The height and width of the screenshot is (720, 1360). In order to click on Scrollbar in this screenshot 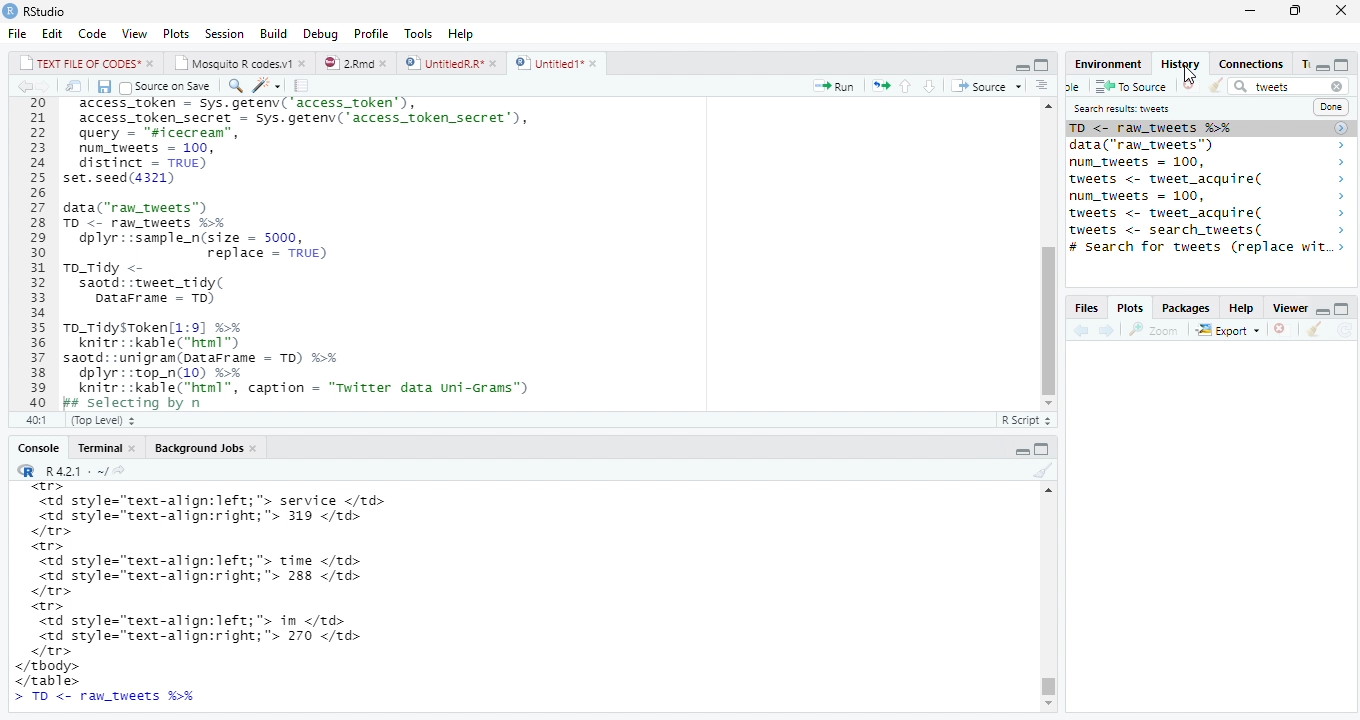, I will do `click(1050, 603)`.